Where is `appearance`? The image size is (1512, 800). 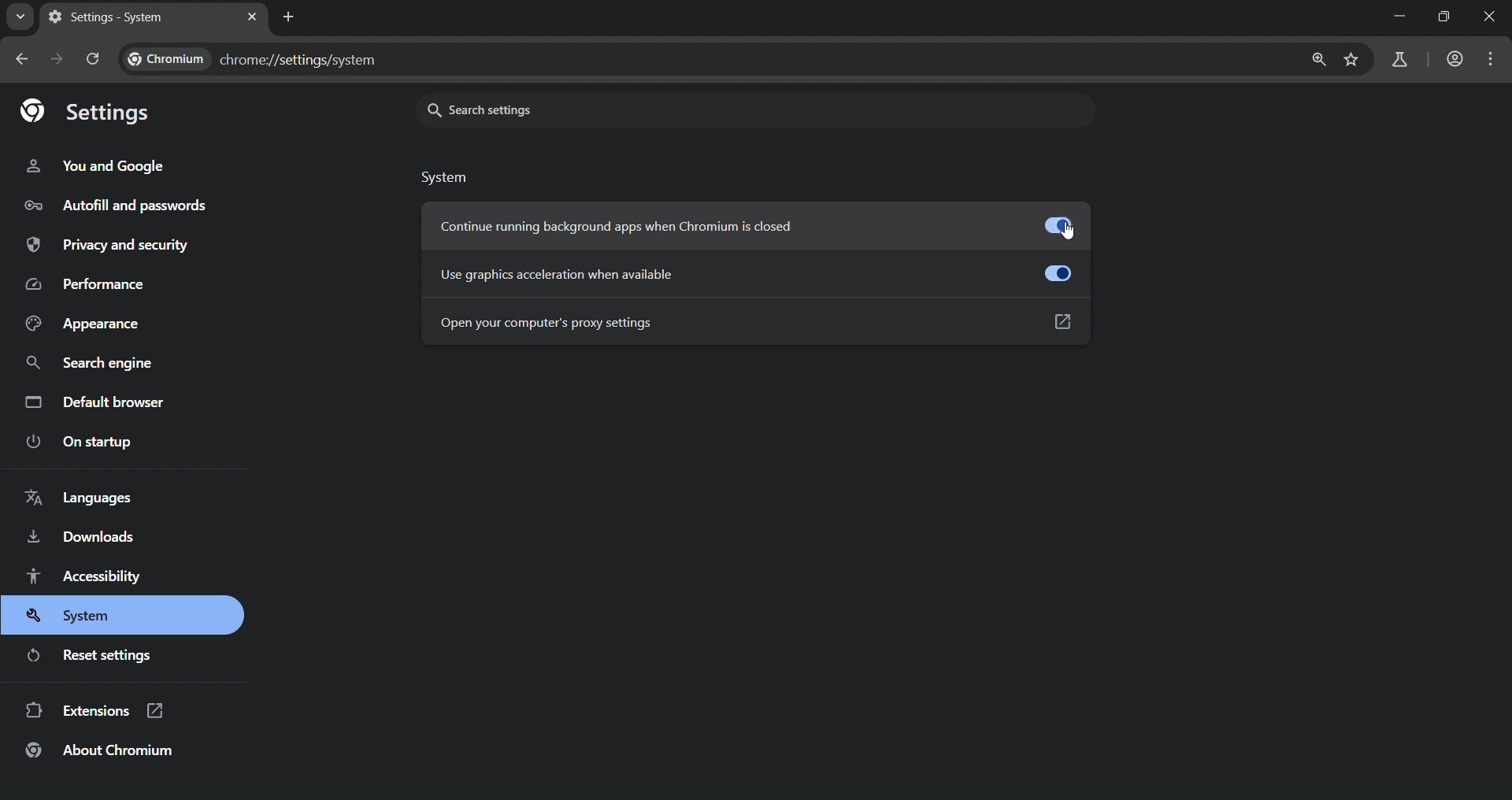
appearance is located at coordinates (88, 320).